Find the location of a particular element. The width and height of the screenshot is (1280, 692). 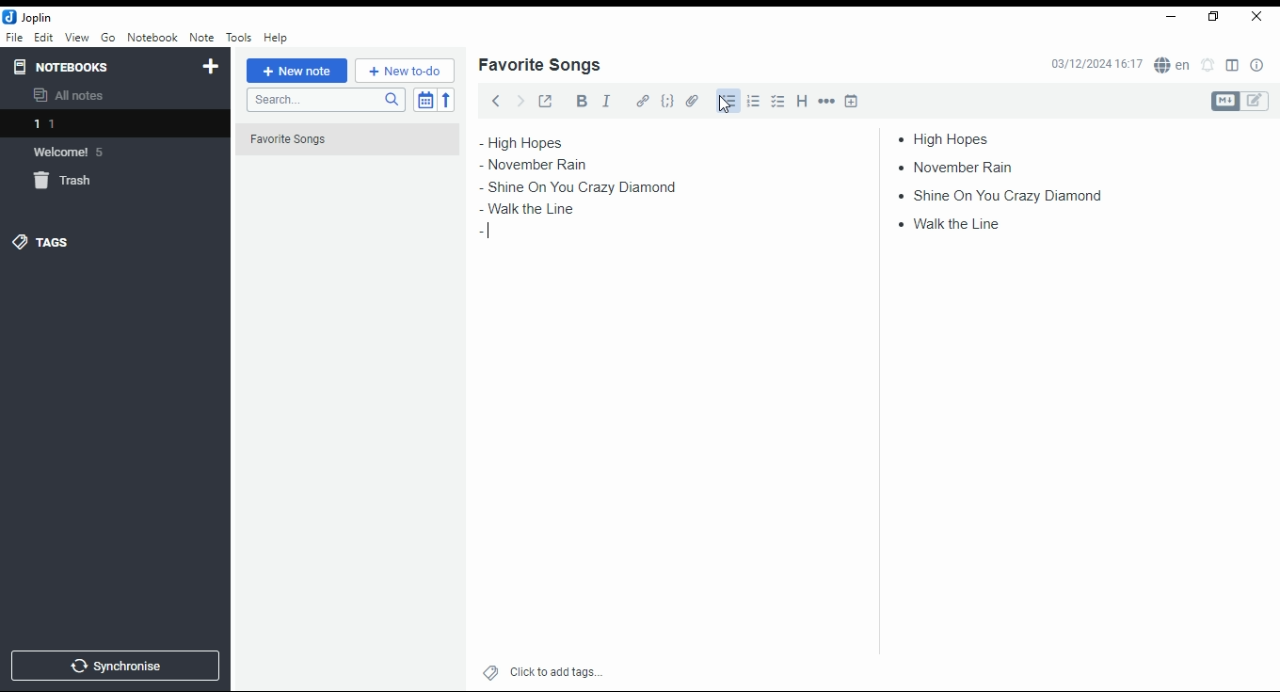

synchronise is located at coordinates (112, 665).